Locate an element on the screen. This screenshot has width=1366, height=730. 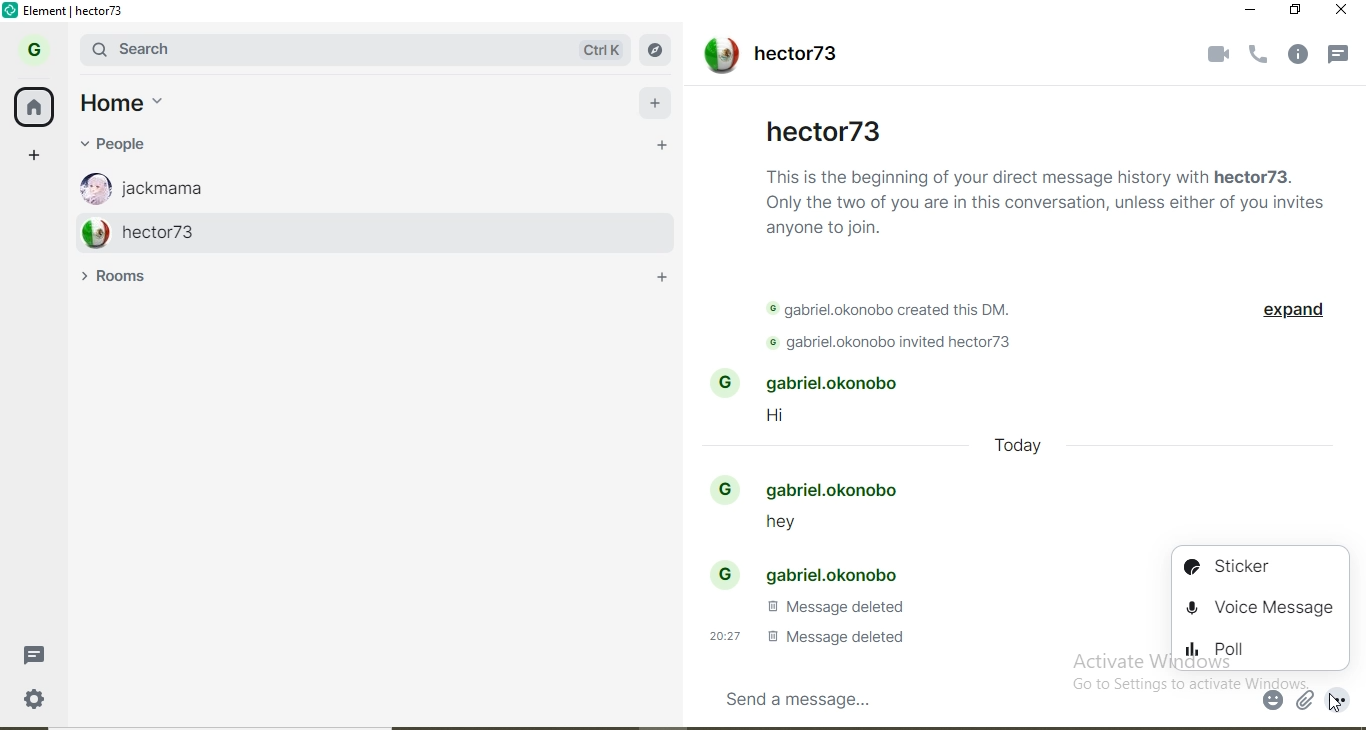
add people is located at coordinates (662, 147).